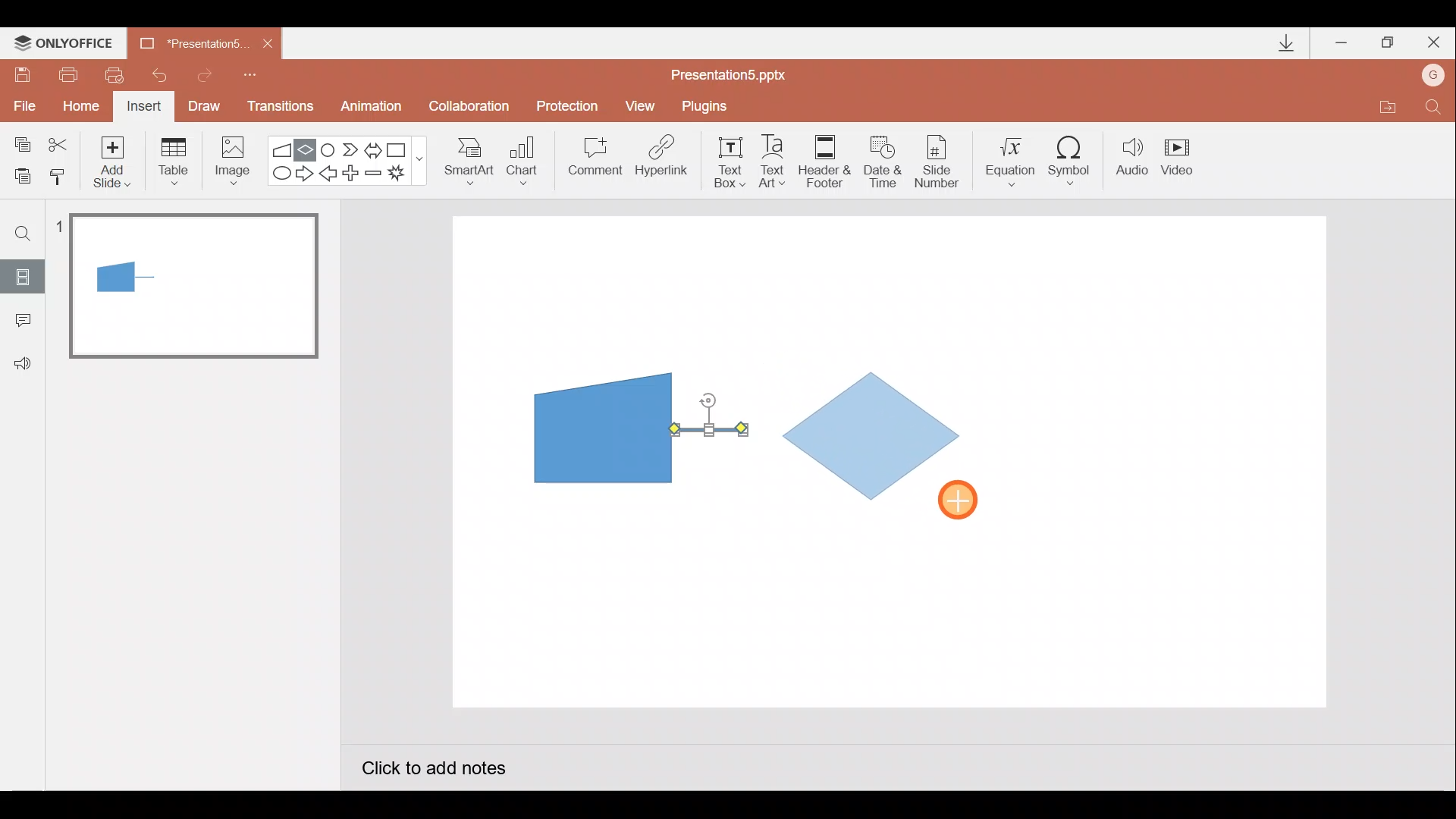 The image size is (1456, 819). Describe the element at coordinates (142, 108) in the screenshot. I see `Insert` at that location.